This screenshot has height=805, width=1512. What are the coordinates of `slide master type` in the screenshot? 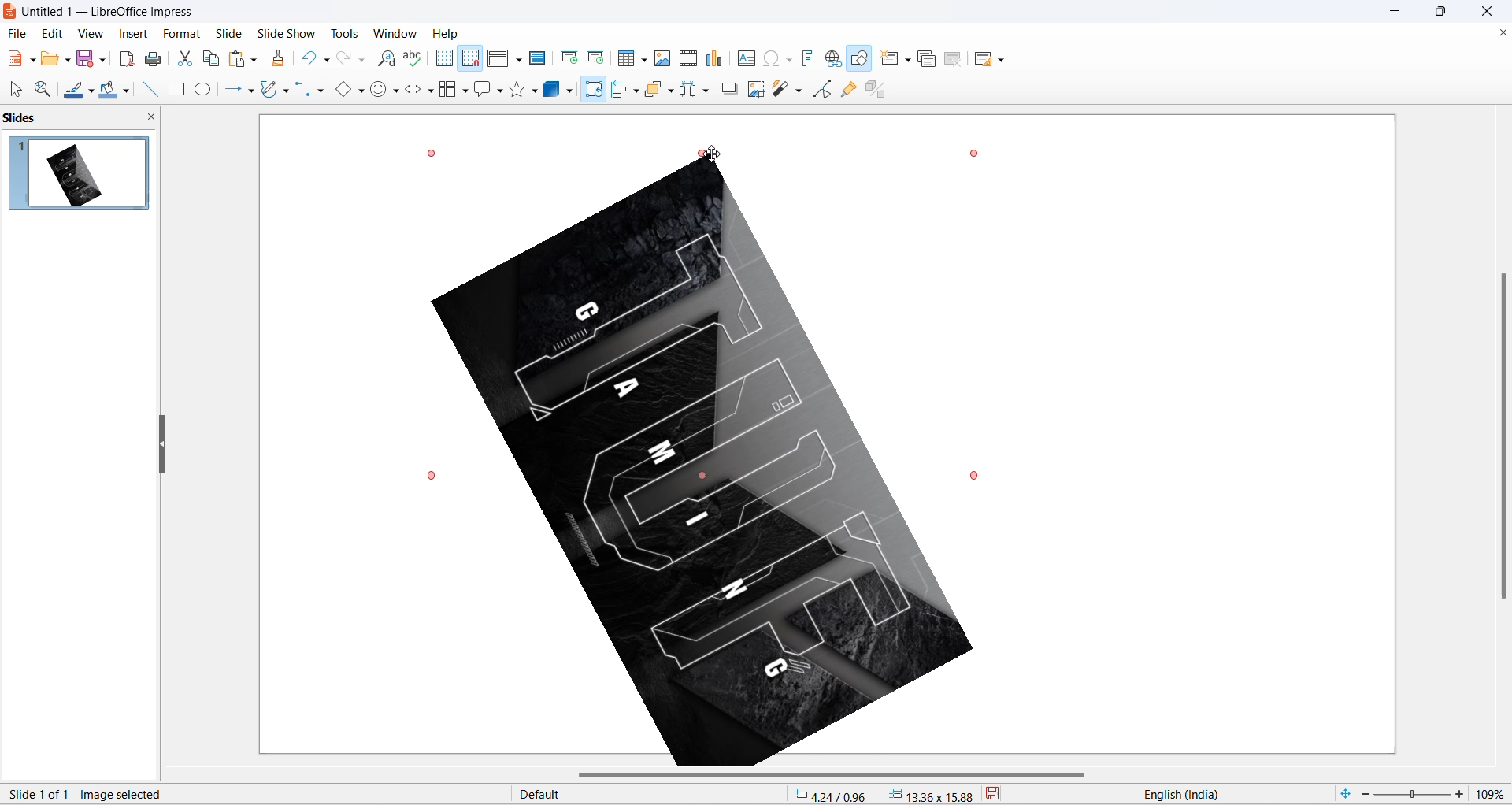 It's located at (651, 795).